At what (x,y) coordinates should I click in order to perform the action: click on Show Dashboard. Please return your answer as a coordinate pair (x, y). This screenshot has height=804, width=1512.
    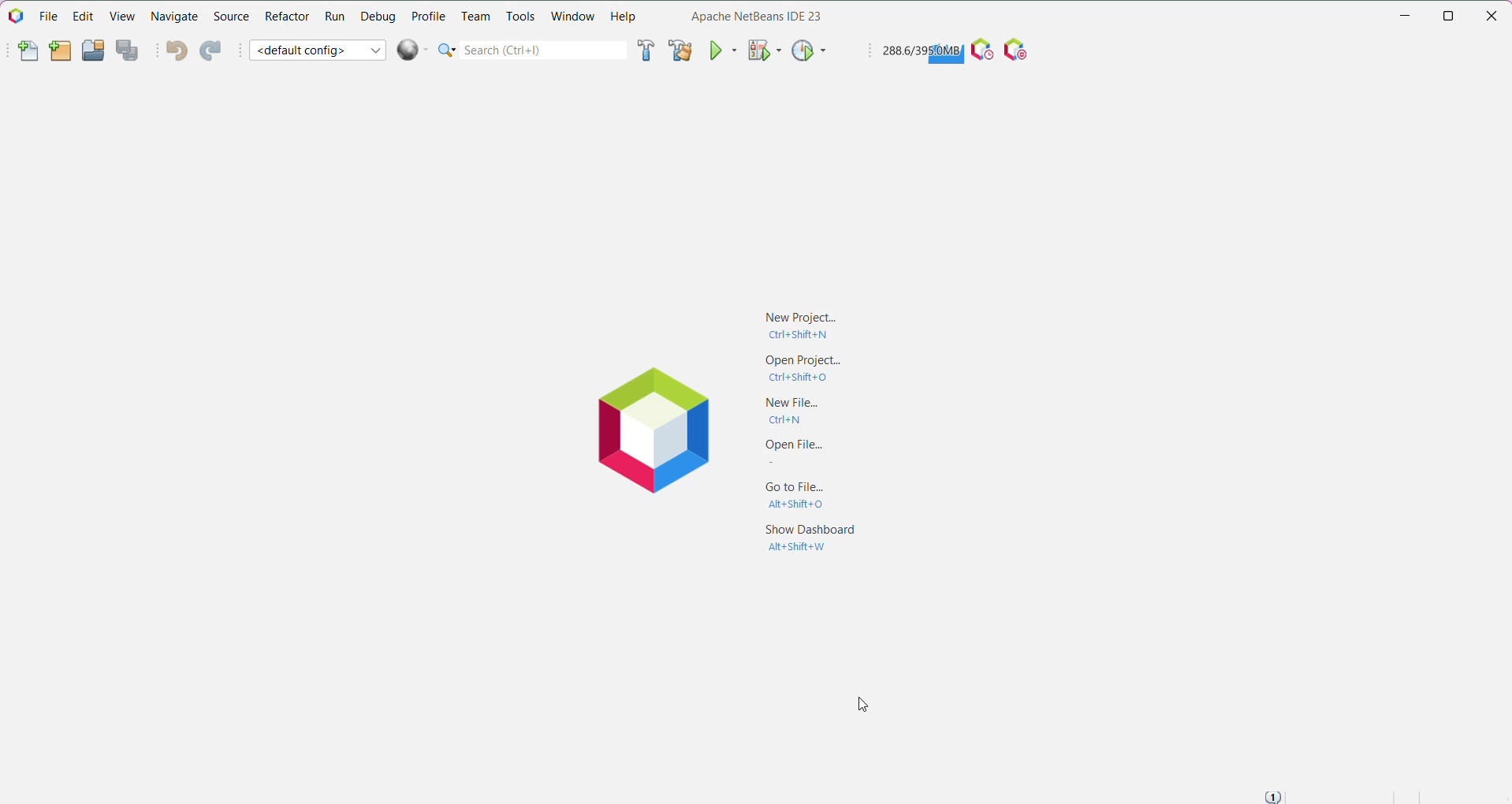
    Looking at the image, I should click on (806, 539).